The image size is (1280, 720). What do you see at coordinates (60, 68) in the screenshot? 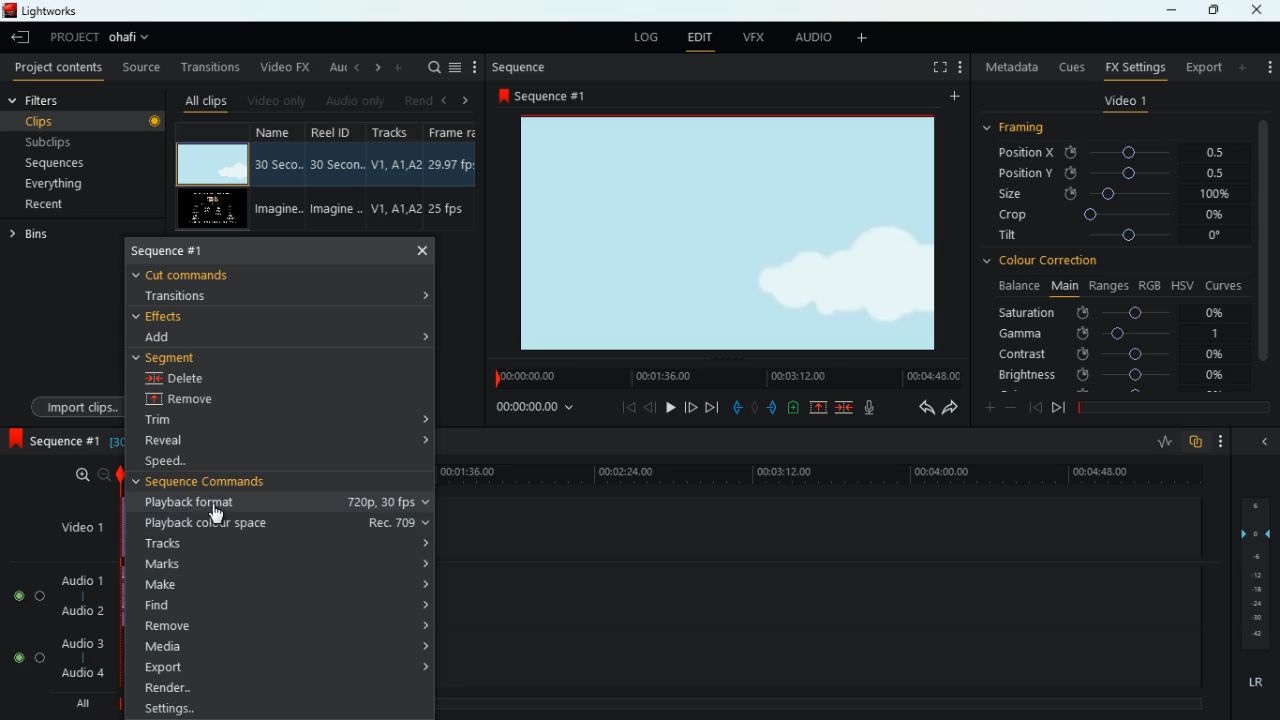
I see `project contents` at bounding box center [60, 68].